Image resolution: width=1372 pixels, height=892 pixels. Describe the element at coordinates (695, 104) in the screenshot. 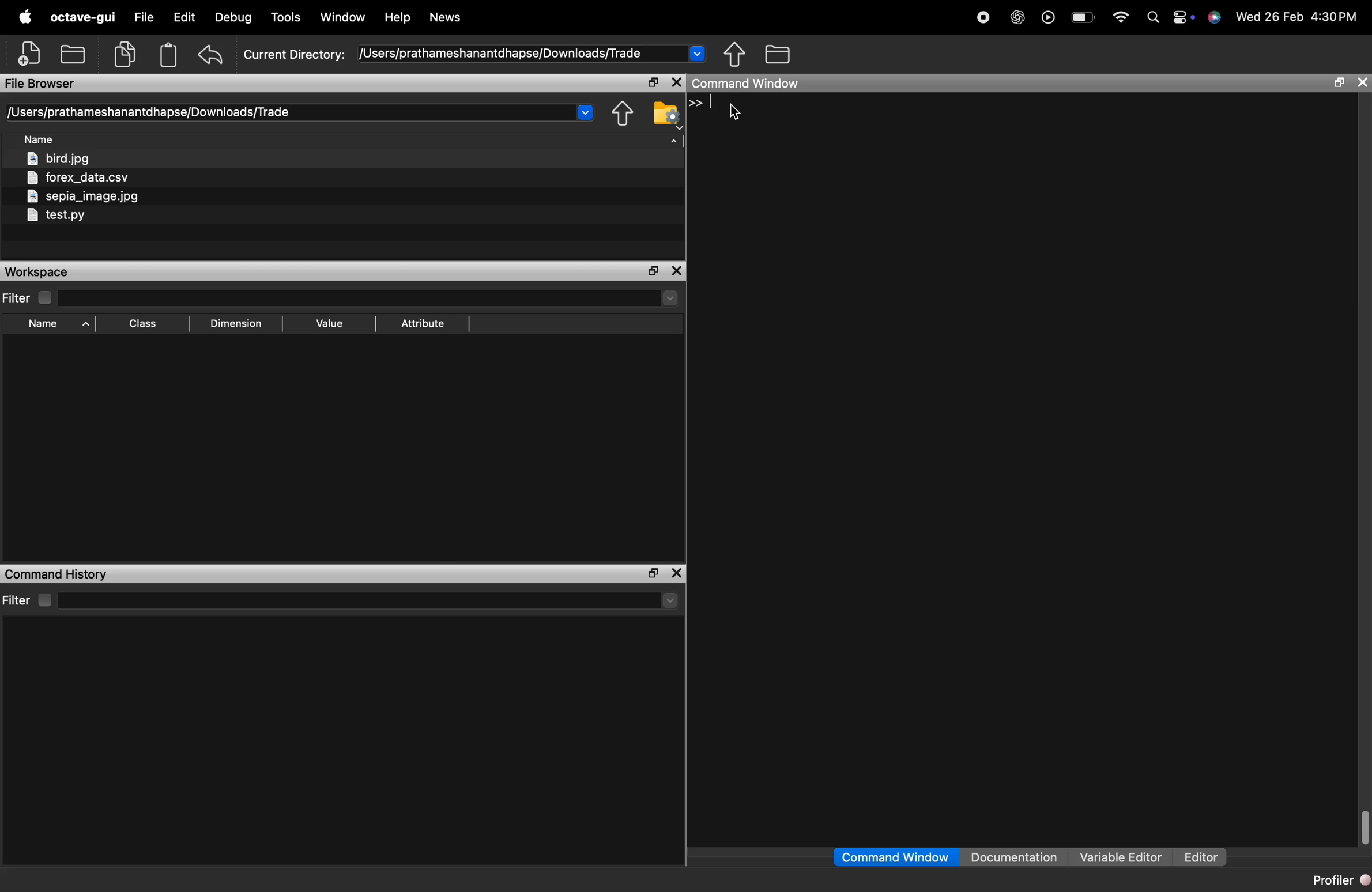

I see `>>` at that location.